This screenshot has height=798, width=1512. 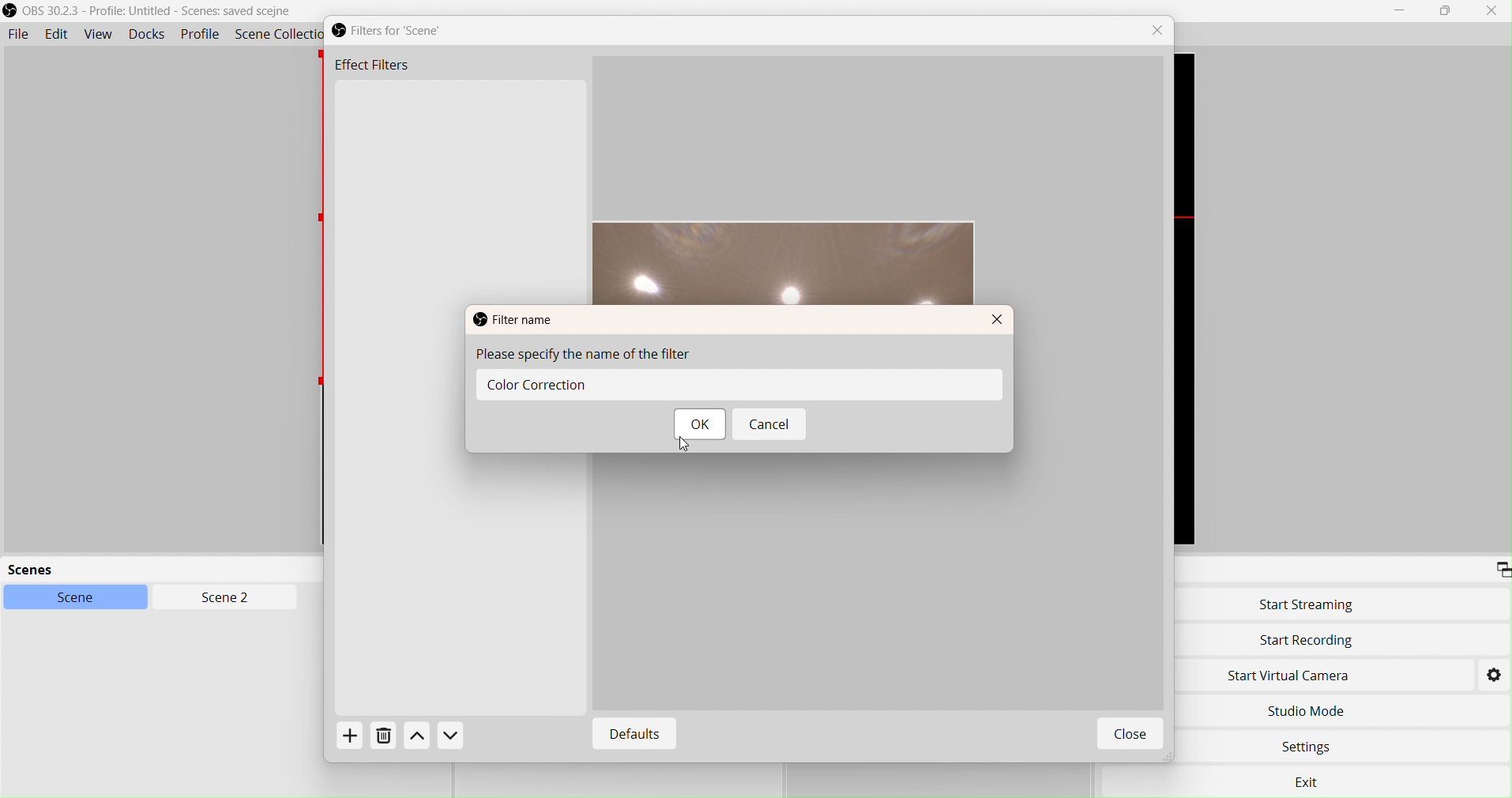 What do you see at coordinates (1161, 31) in the screenshot?
I see `Close` at bounding box center [1161, 31].